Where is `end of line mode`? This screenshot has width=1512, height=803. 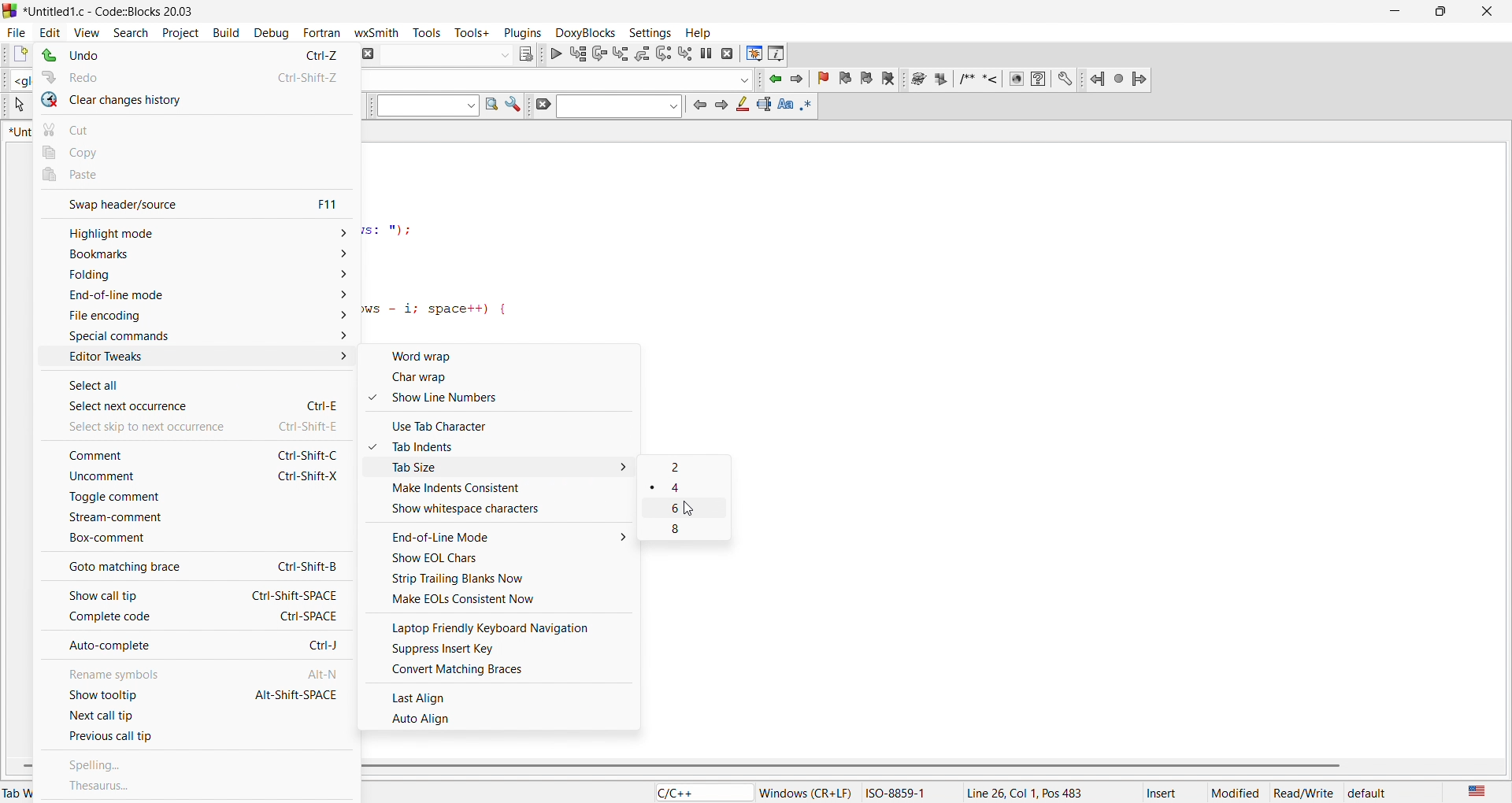
end of line mode is located at coordinates (506, 536).